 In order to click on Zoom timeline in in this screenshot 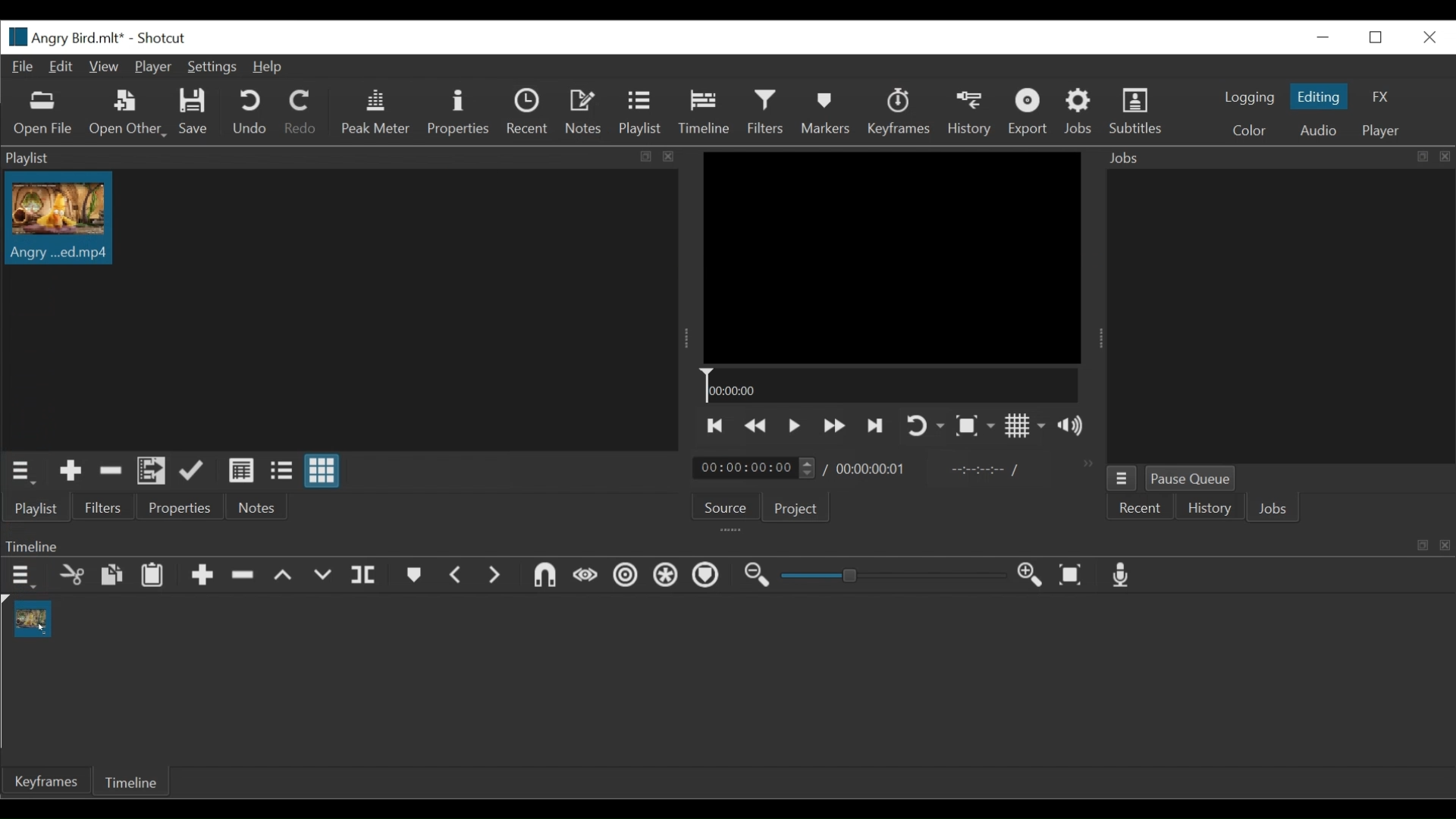, I will do `click(1026, 573)`.